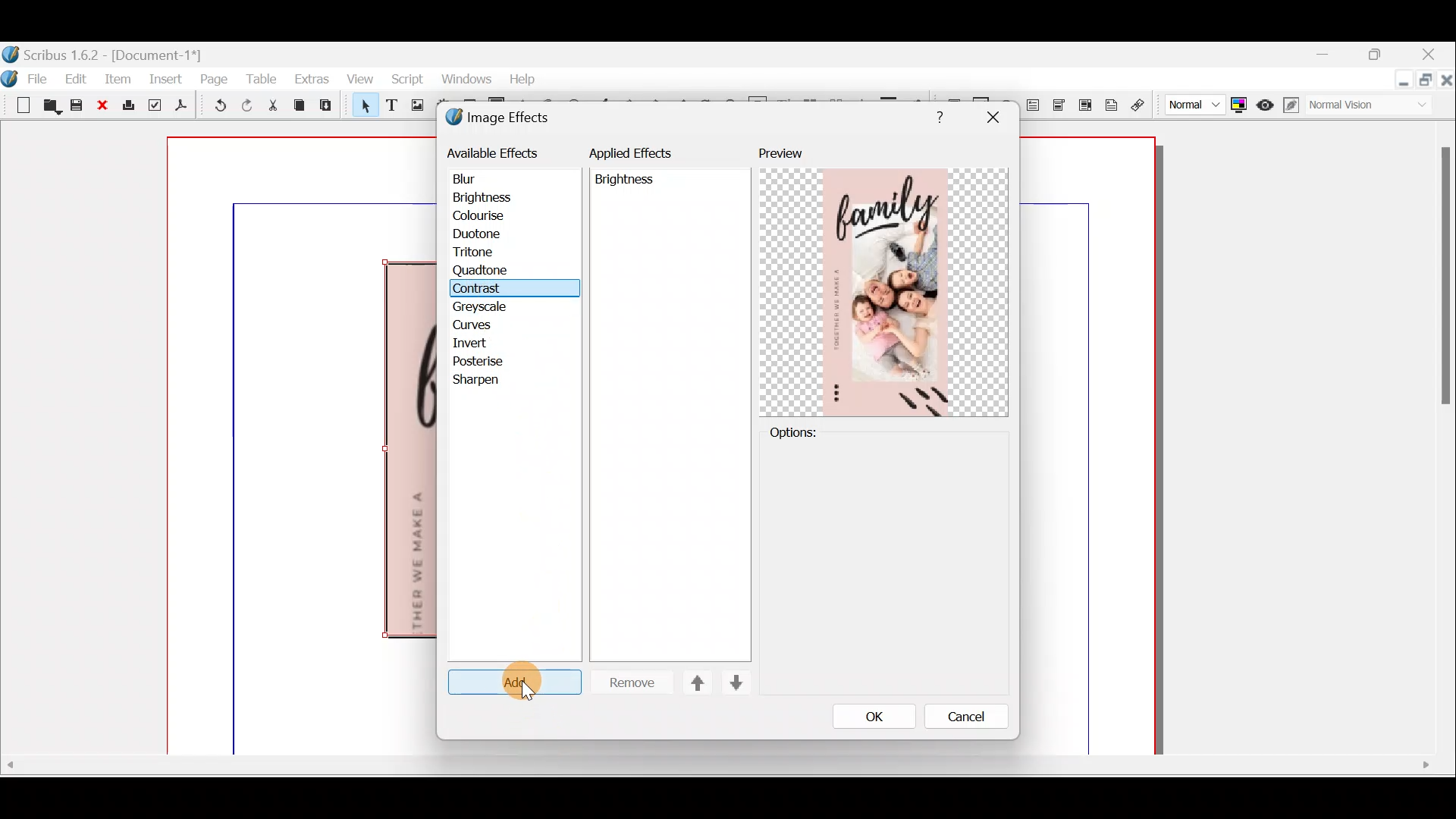  Describe the element at coordinates (715, 765) in the screenshot. I see `` at that location.